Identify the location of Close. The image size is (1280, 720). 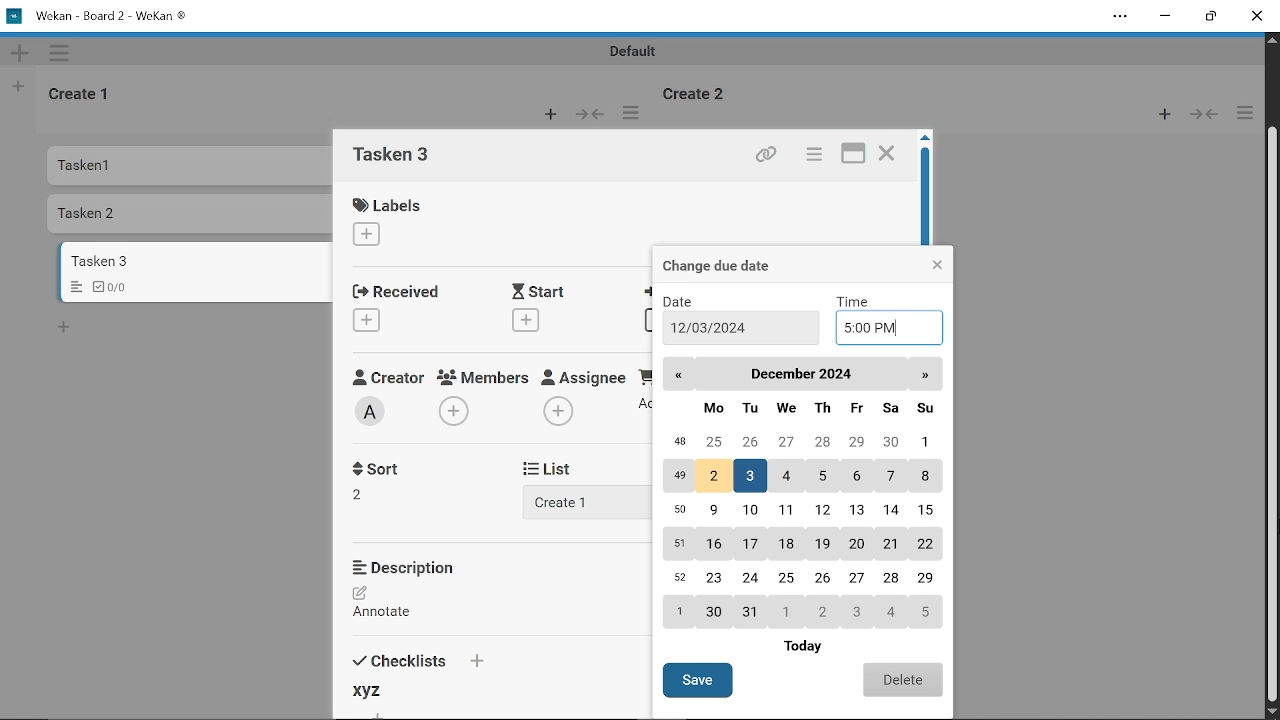
(936, 264).